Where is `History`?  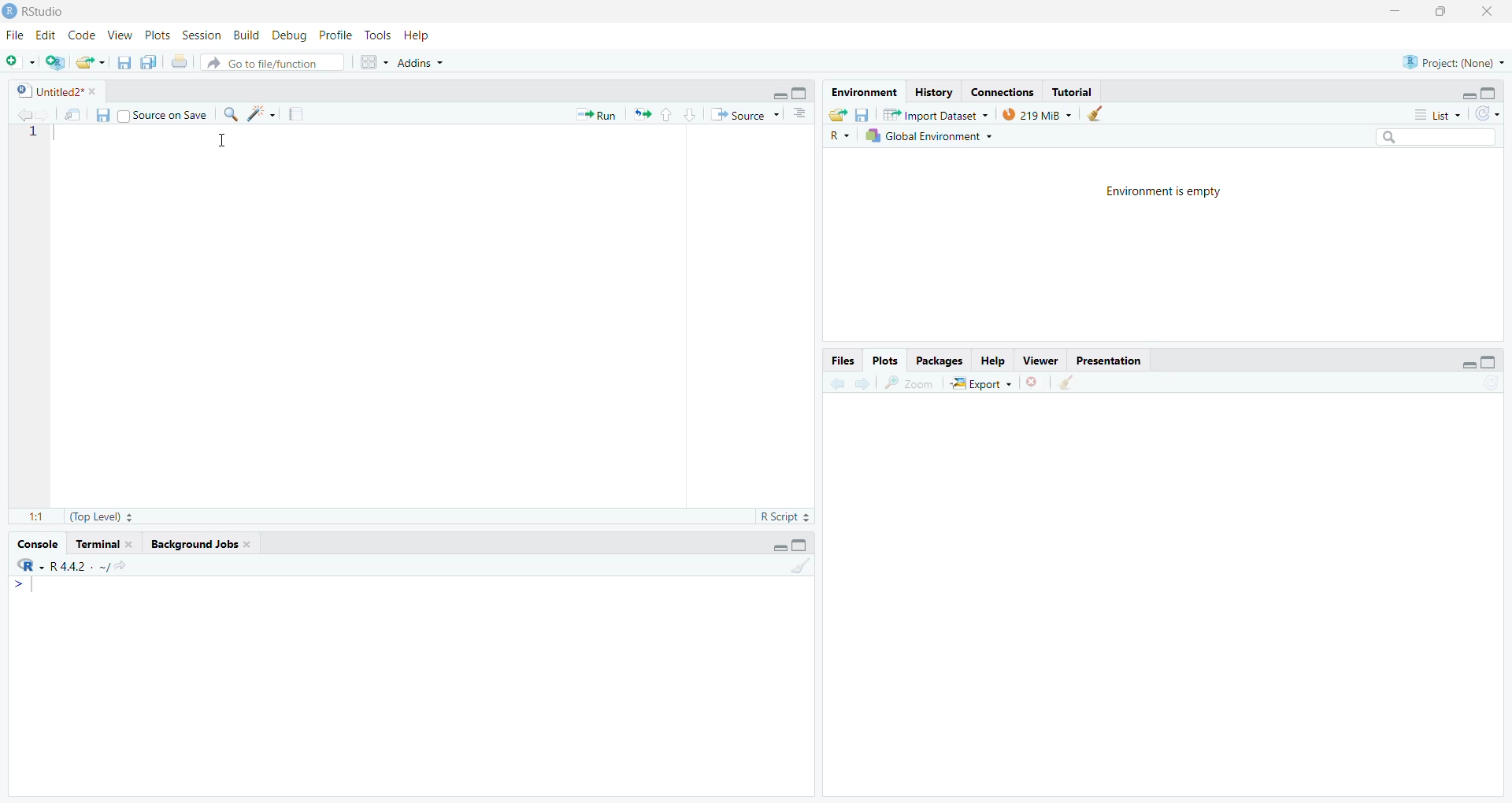 History is located at coordinates (933, 92).